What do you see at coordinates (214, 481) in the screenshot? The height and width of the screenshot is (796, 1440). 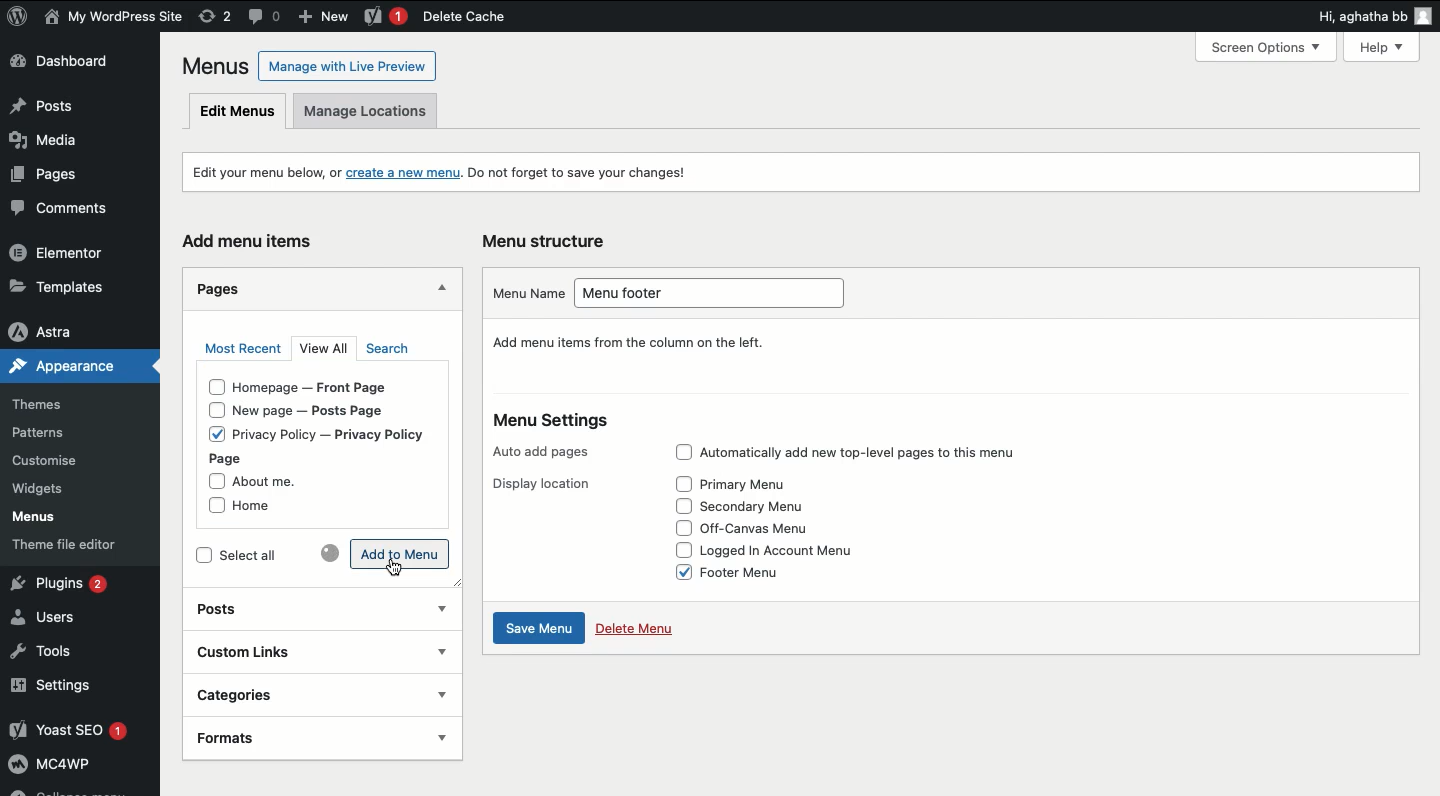 I see `checkbox` at bounding box center [214, 481].